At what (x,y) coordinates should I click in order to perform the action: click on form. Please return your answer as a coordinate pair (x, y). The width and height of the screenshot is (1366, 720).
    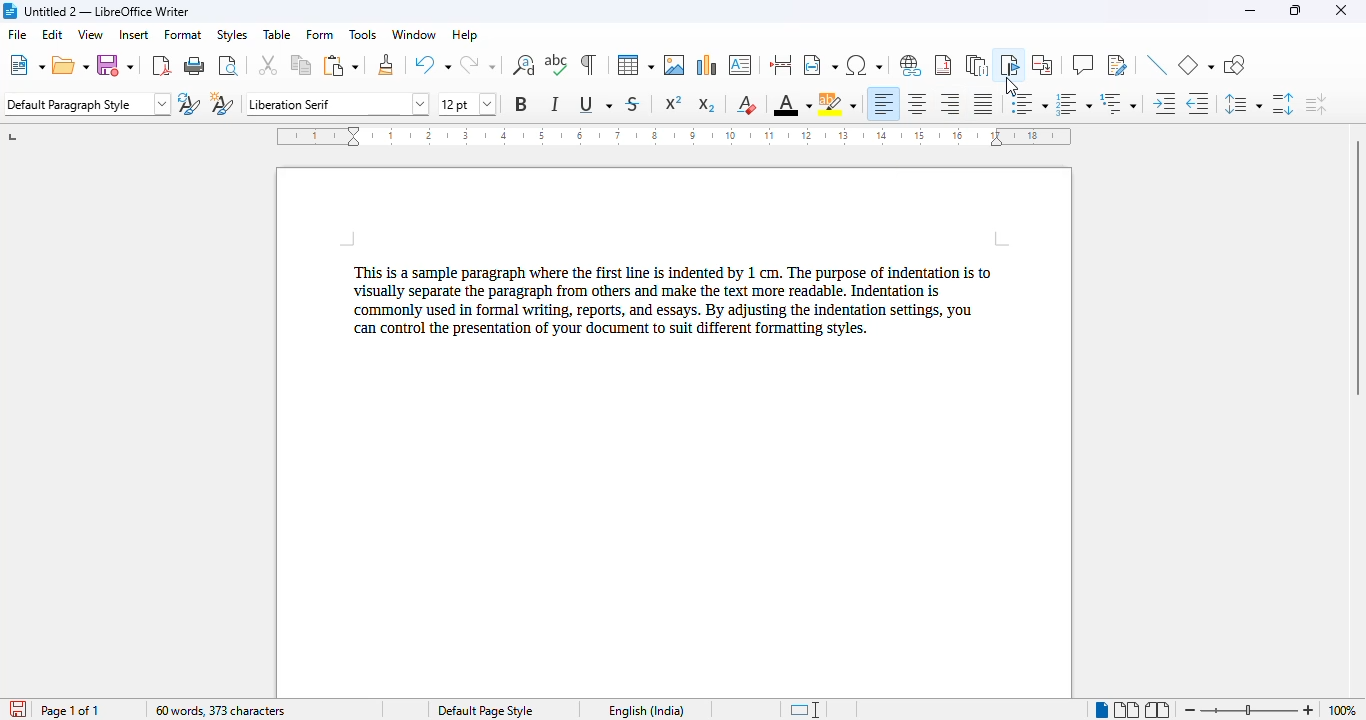
    Looking at the image, I should click on (320, 35).